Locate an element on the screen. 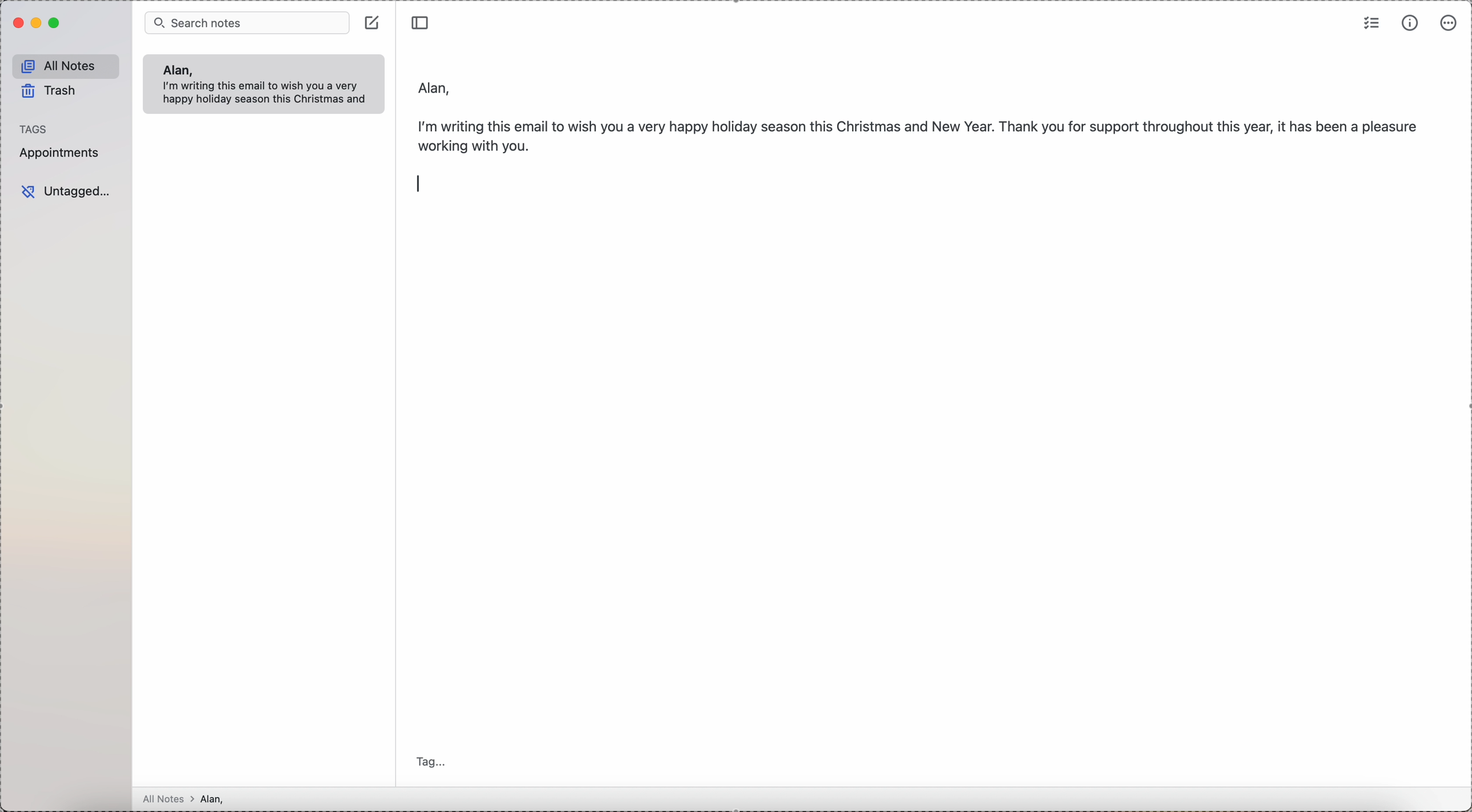  all notes > Alan, is located at coordinates (187, 799).